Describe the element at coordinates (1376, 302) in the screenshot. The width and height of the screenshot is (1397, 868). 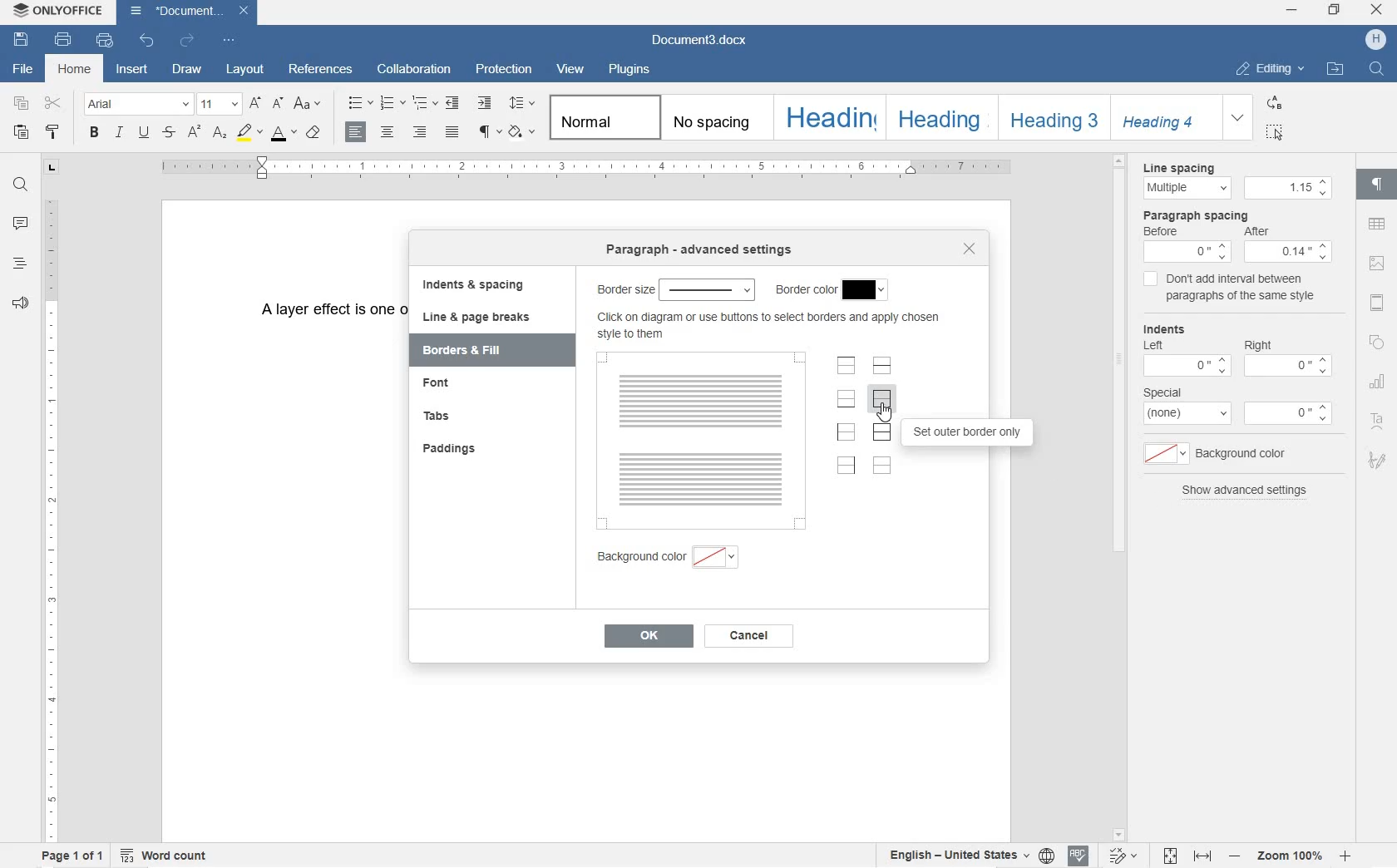
I see `HEADINGS & FOOTERS` at that location.